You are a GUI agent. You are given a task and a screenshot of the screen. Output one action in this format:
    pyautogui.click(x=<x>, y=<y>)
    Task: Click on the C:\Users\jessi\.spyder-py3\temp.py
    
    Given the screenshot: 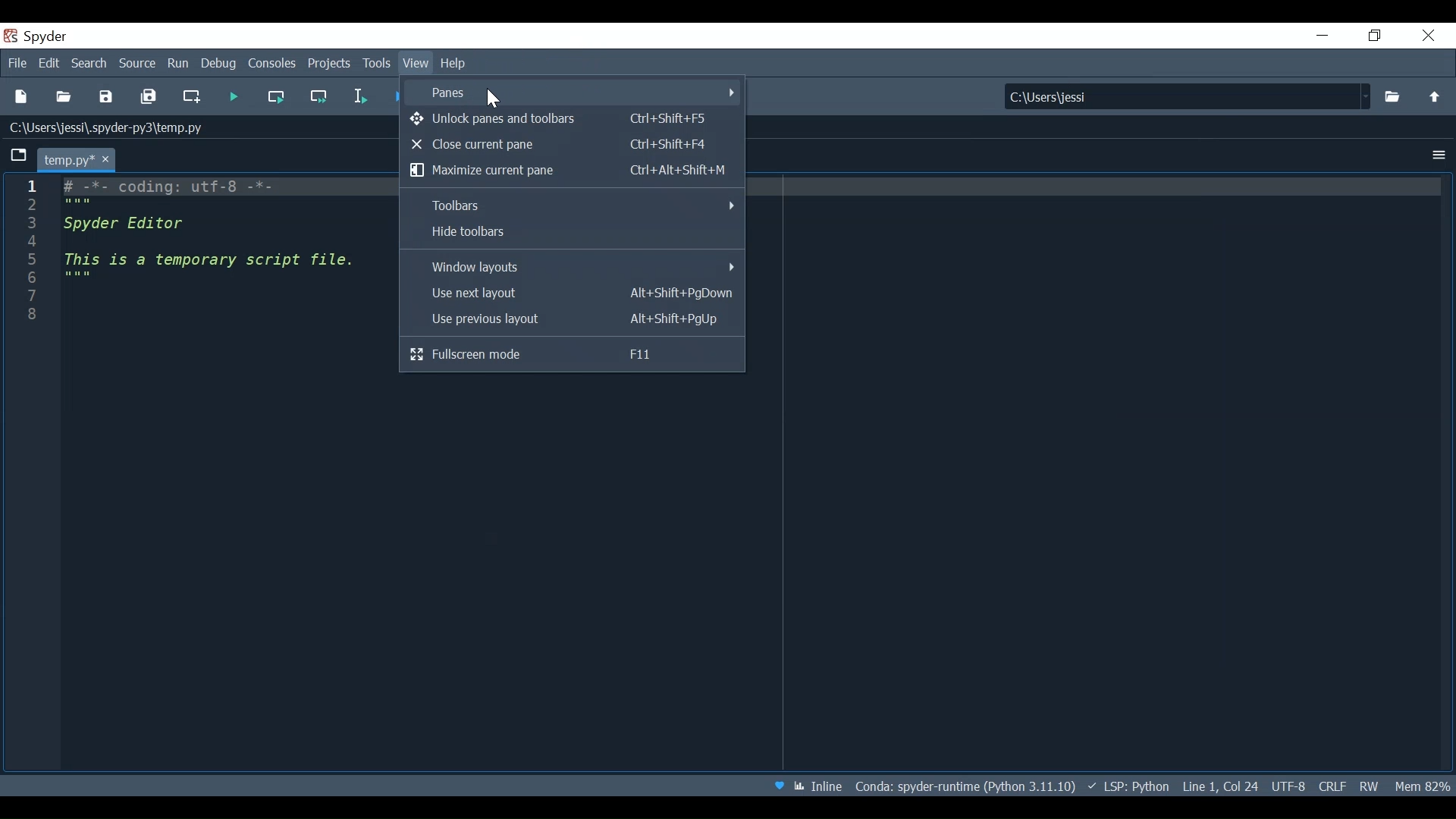 What is the action you would take?
    pyautogui.click(x=116, y=131)
    